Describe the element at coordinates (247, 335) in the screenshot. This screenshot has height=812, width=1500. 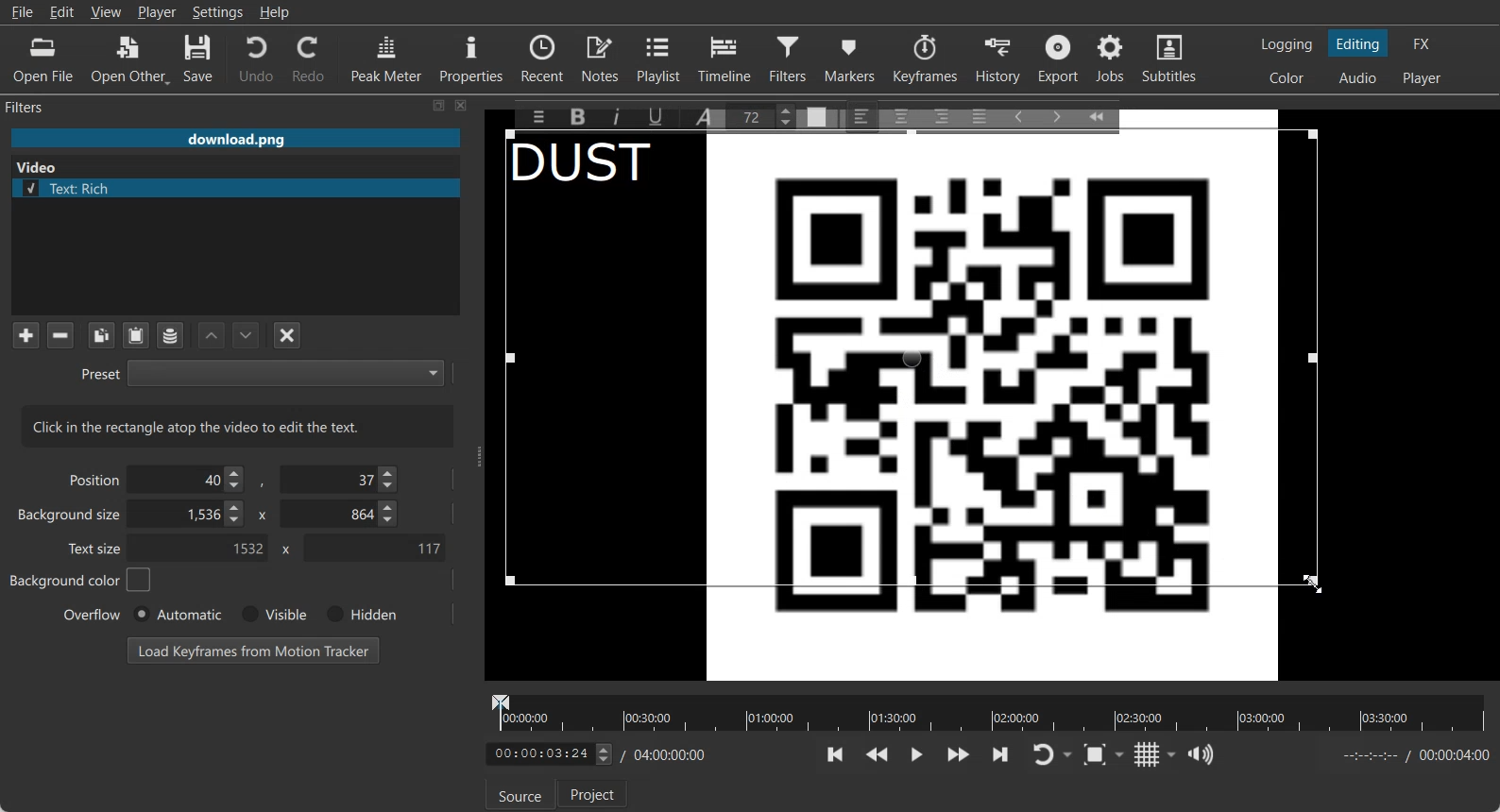
I see `Move Filter Down` at that location.